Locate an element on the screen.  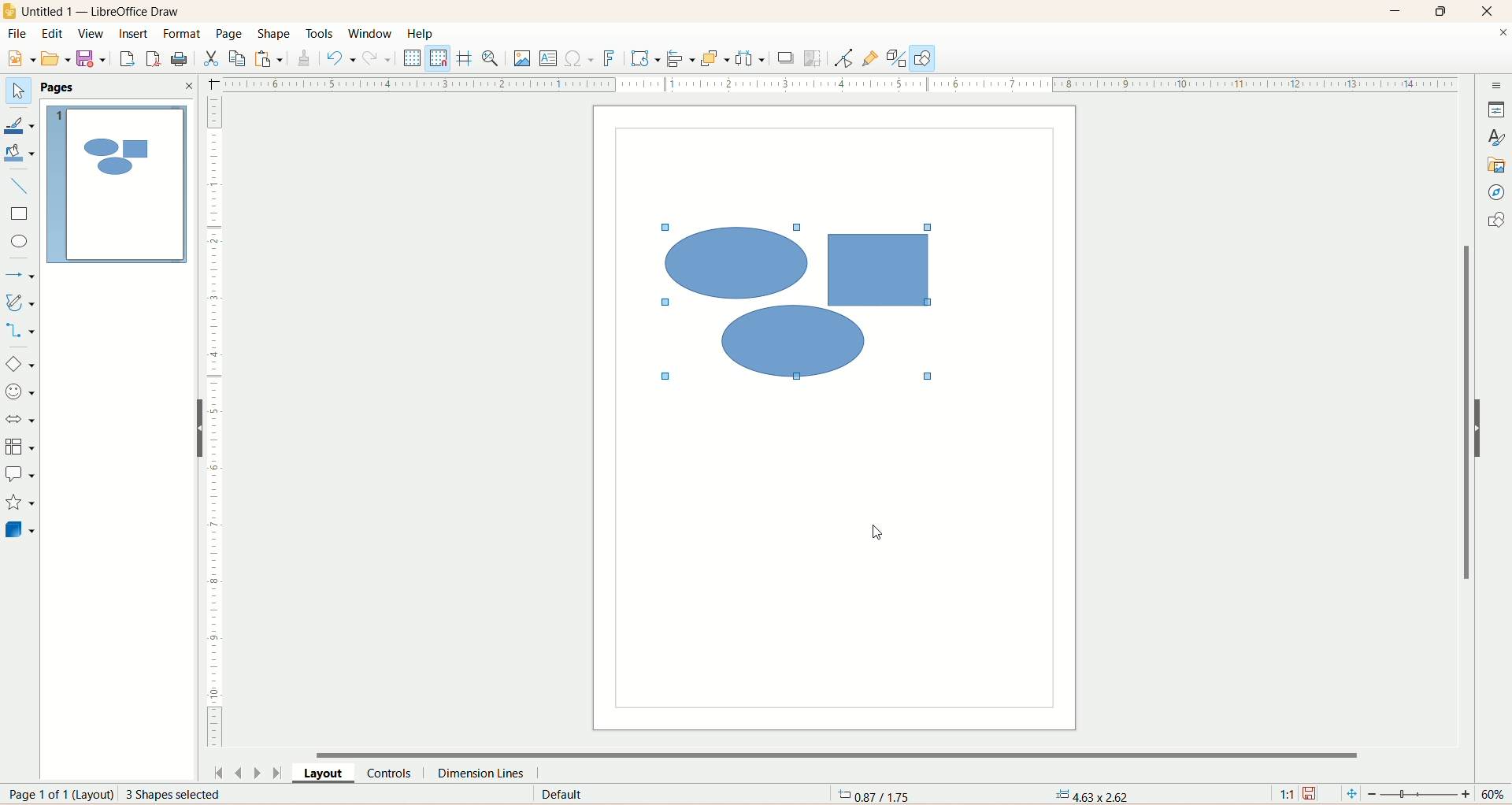
save is located at coordinates (93, 59).